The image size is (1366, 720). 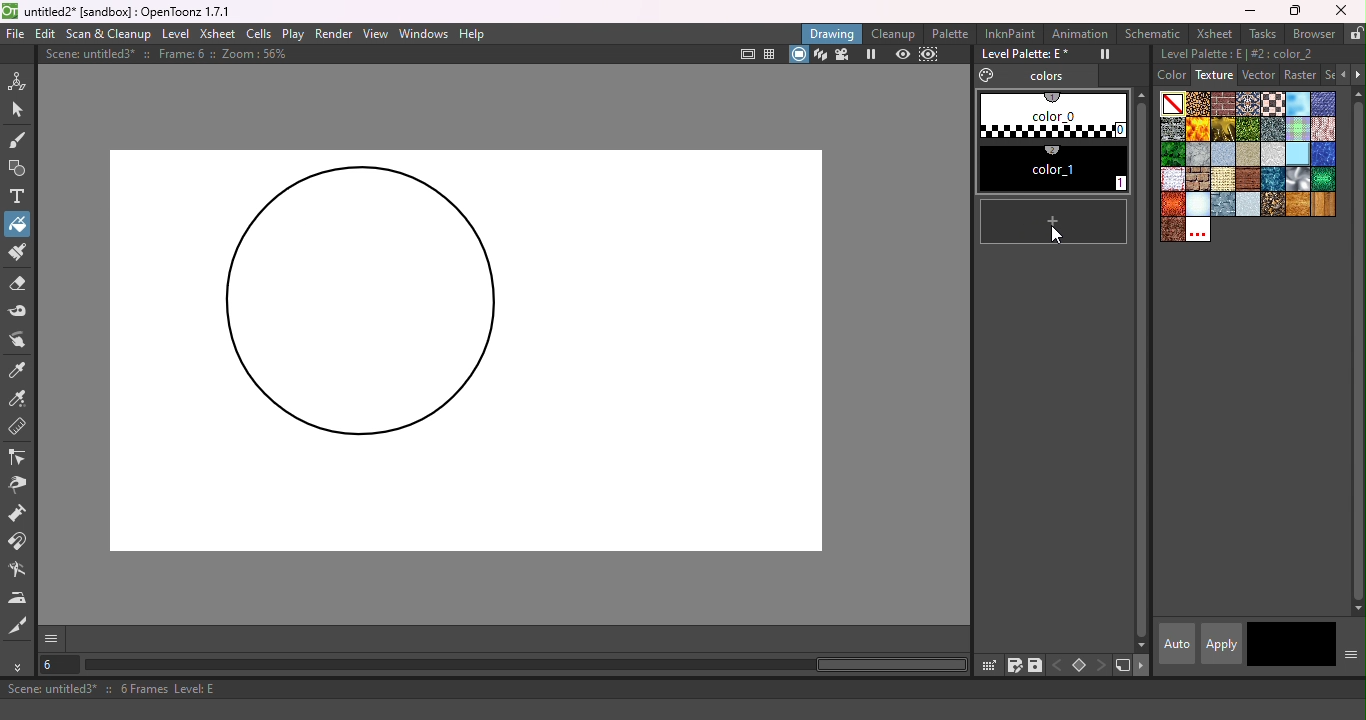 I want to click on Texture, so click(x=1213, y=74).